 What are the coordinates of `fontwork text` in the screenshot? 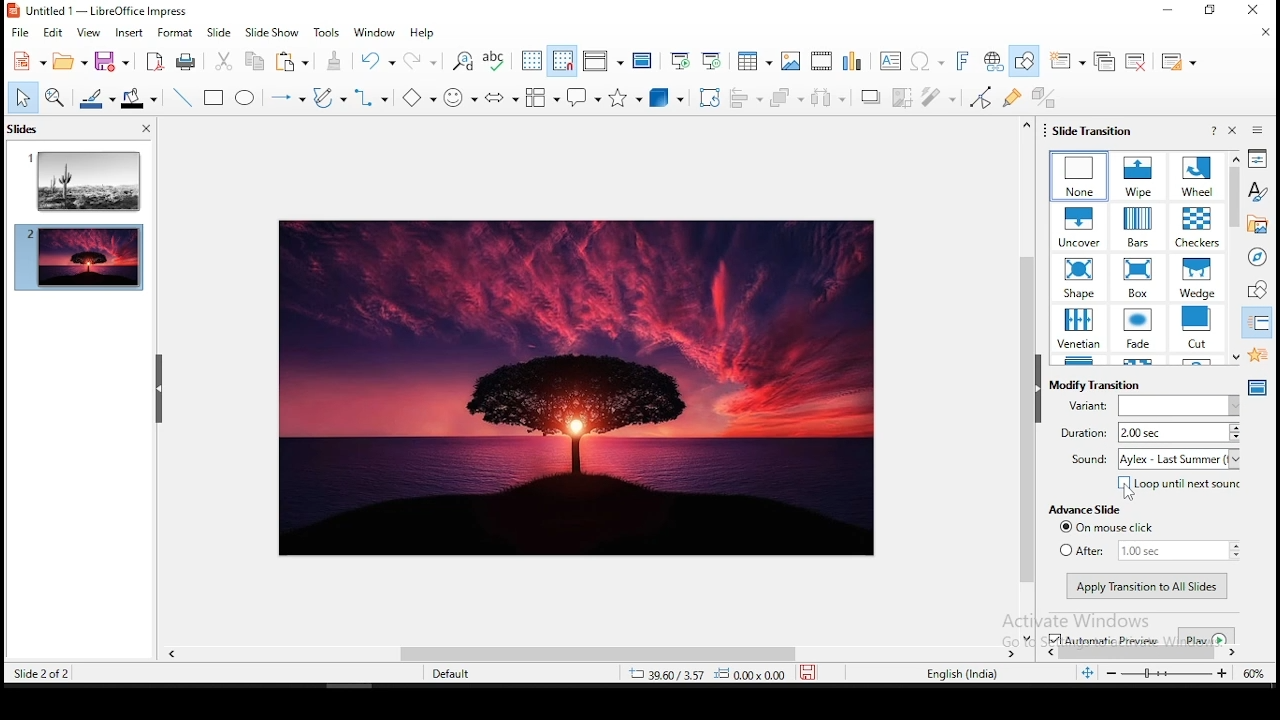 It's located at (961, 61).